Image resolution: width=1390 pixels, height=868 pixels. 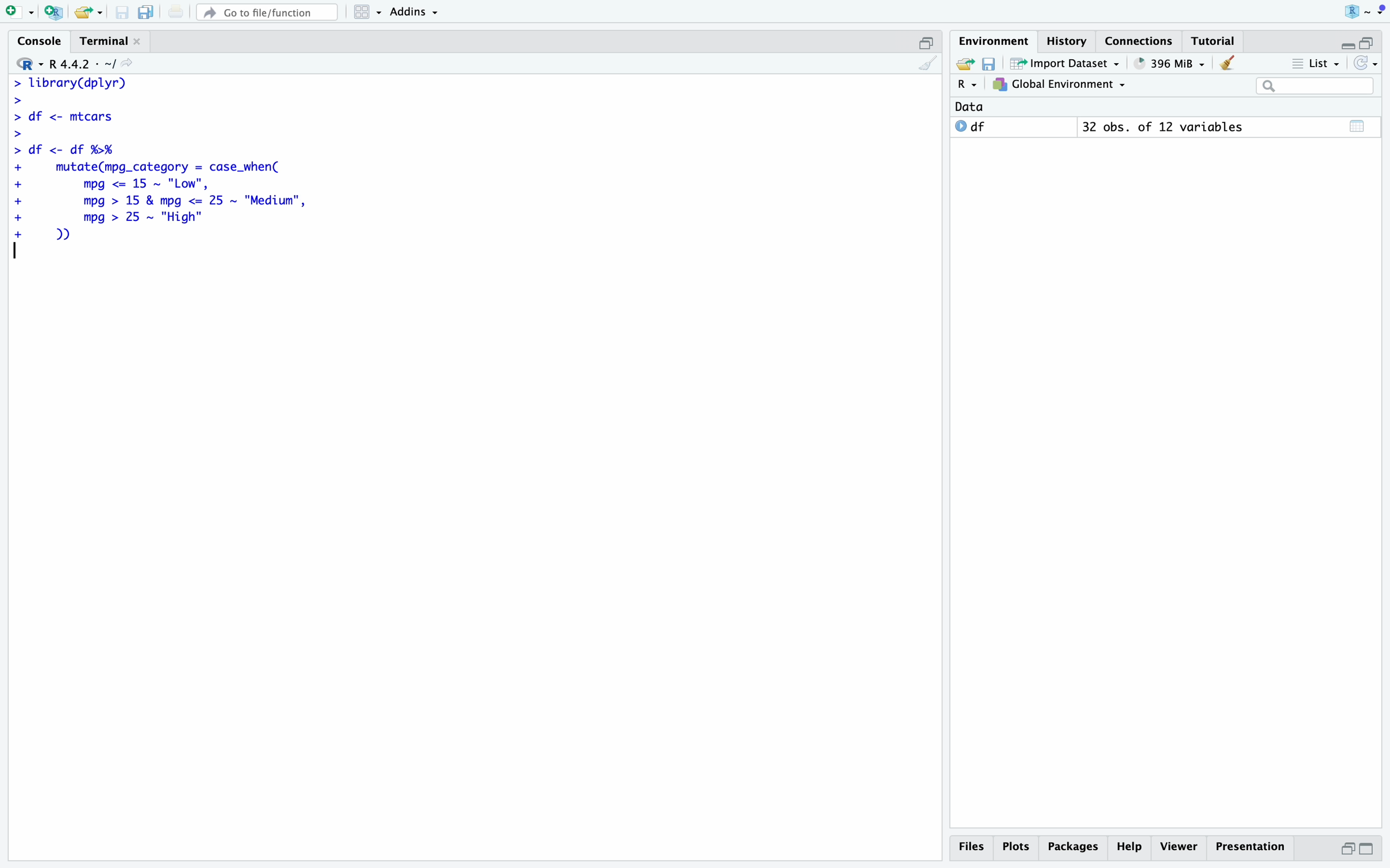 I want to click on tutorial, so click(x=1215, y=41).